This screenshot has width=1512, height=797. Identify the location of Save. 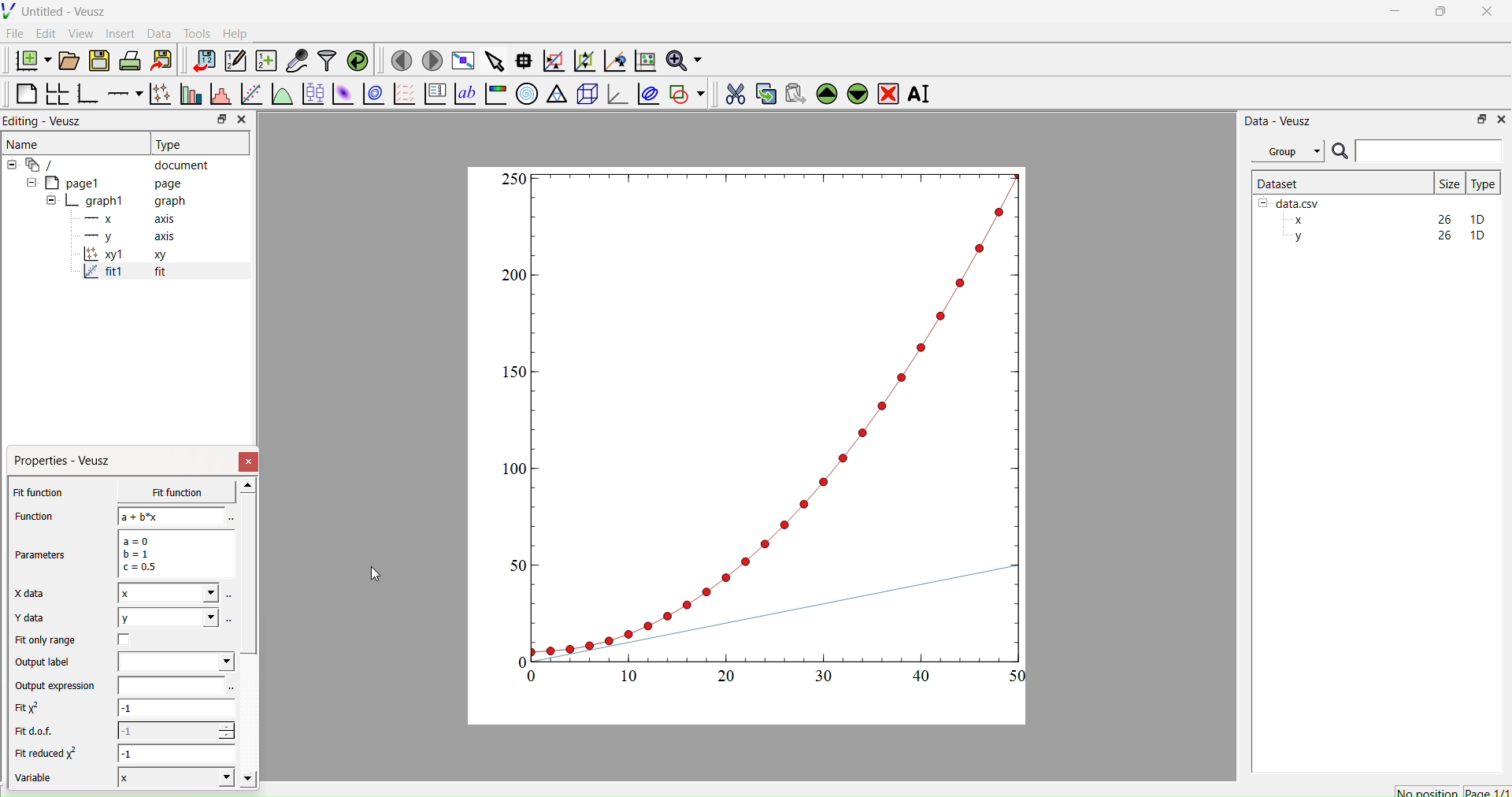
(98, 59).